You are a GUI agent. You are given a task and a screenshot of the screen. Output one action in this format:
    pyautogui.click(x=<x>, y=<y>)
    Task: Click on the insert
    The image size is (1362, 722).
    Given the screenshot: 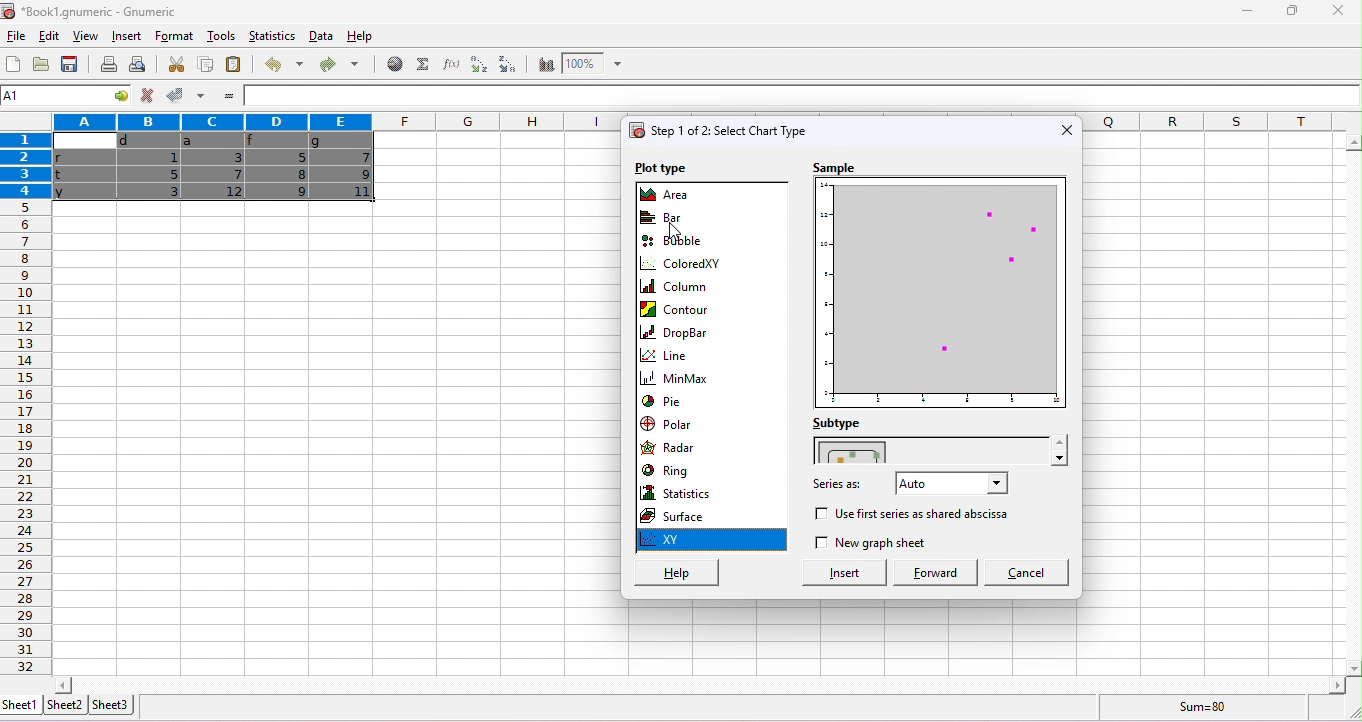 What is the action you would take?
    pyautogui.click(x=125, y=36)
    